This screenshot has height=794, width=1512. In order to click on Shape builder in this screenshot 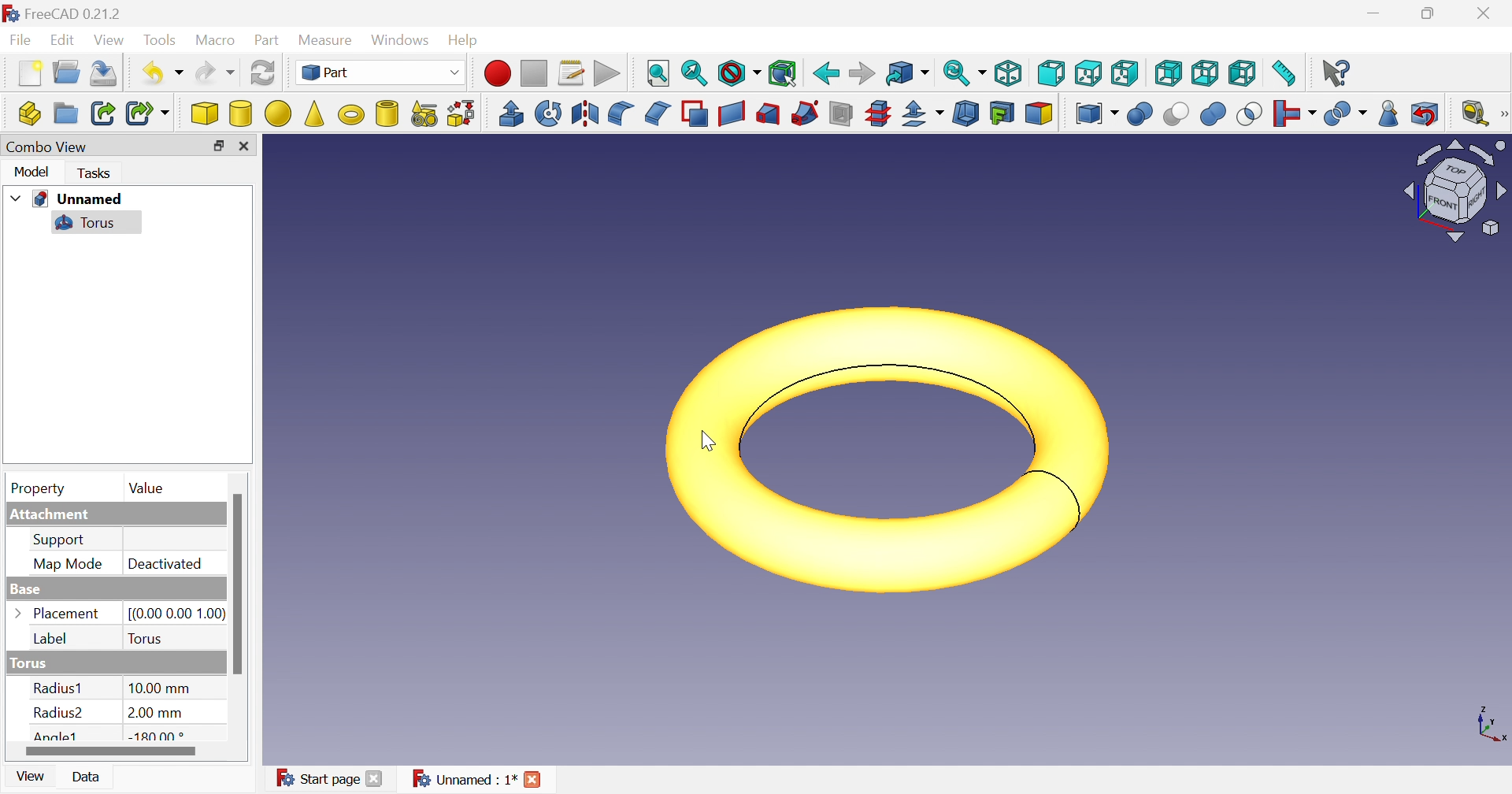, I will do `click(465, 114)`.